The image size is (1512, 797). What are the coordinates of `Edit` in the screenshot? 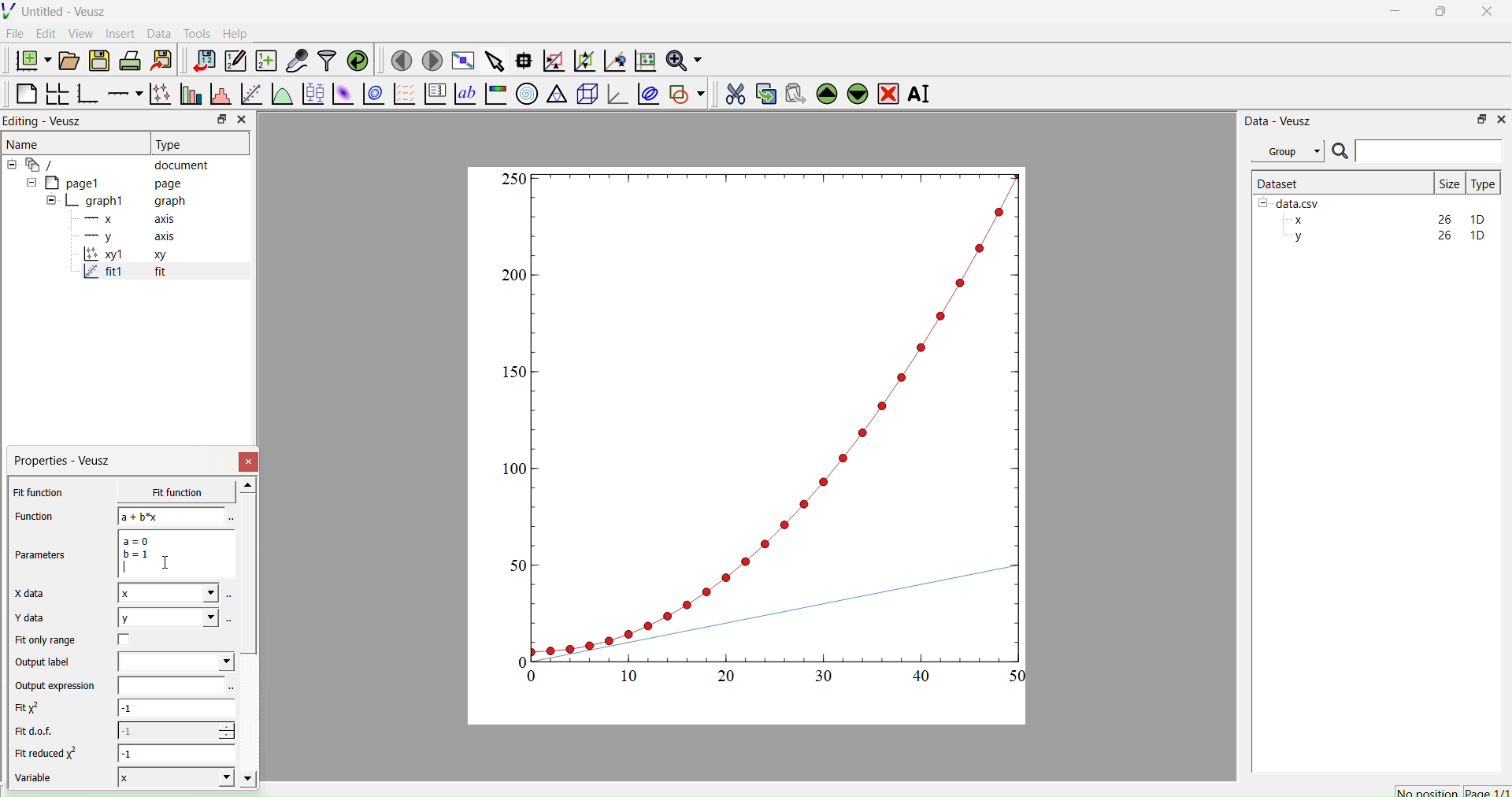 It's located at (44, 33).